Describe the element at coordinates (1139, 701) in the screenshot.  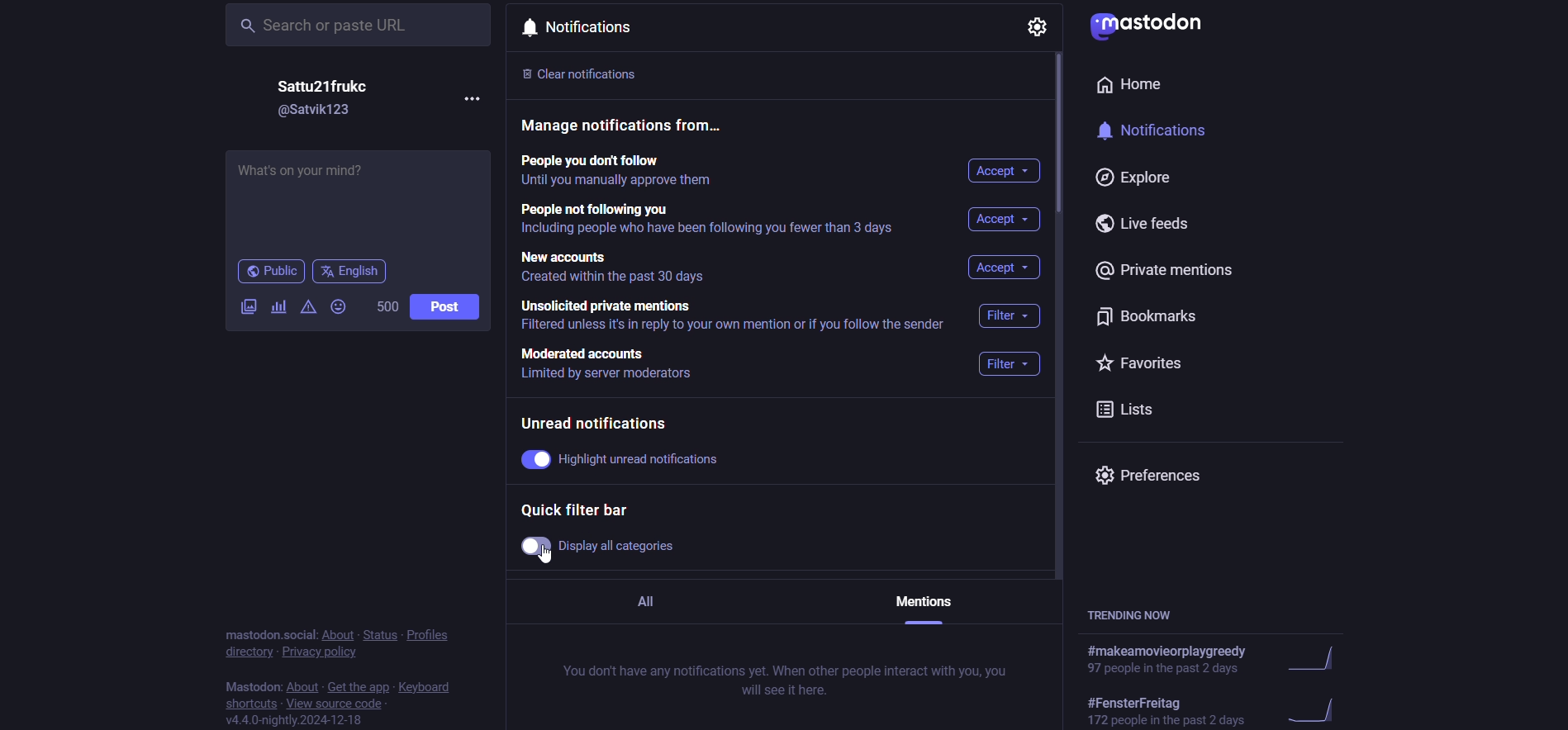
I see `#FensterFreitag` at that location.